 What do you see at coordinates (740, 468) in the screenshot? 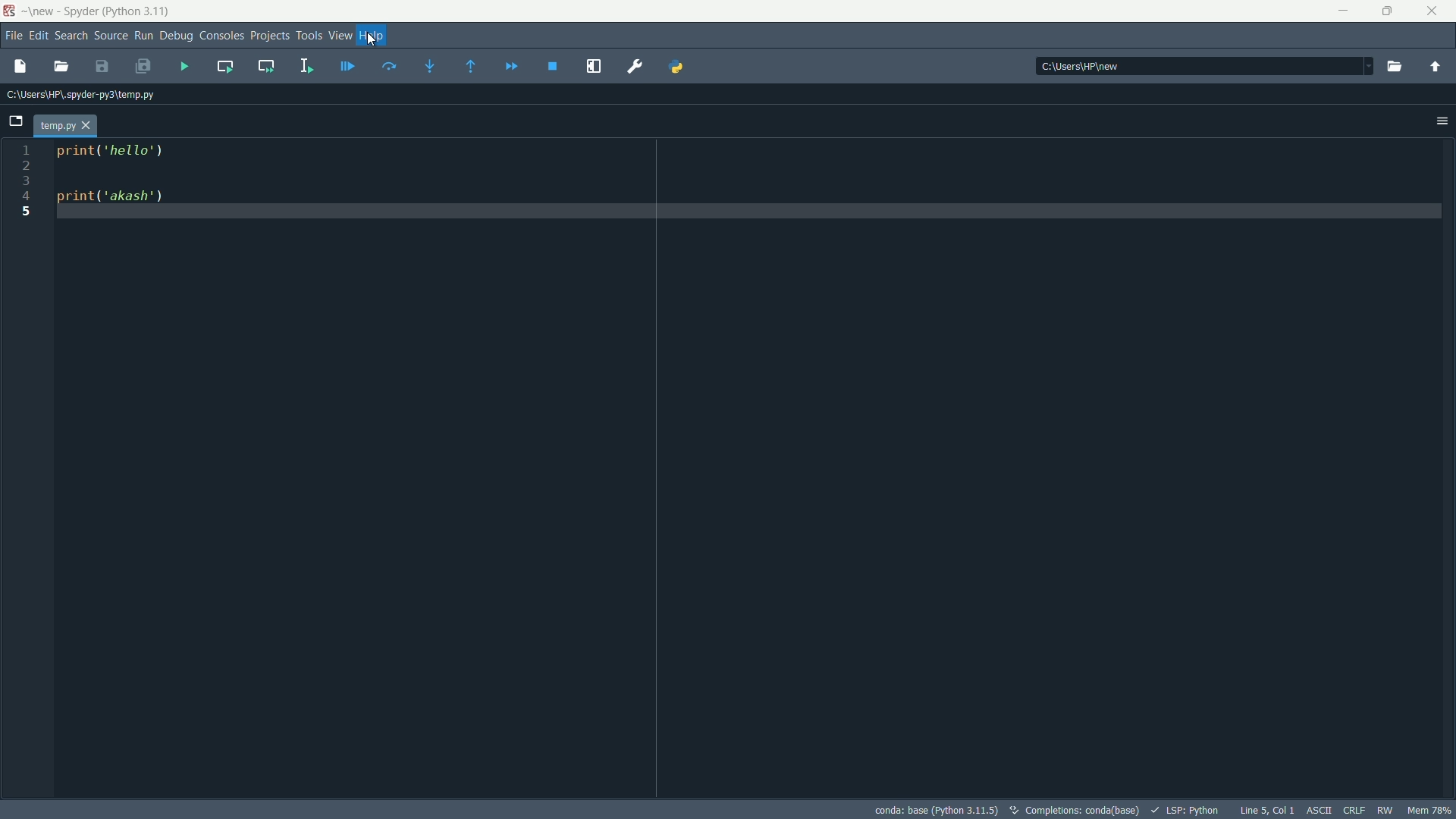
I see `print('hello') print('akash')` at bounding box center [740, 468].